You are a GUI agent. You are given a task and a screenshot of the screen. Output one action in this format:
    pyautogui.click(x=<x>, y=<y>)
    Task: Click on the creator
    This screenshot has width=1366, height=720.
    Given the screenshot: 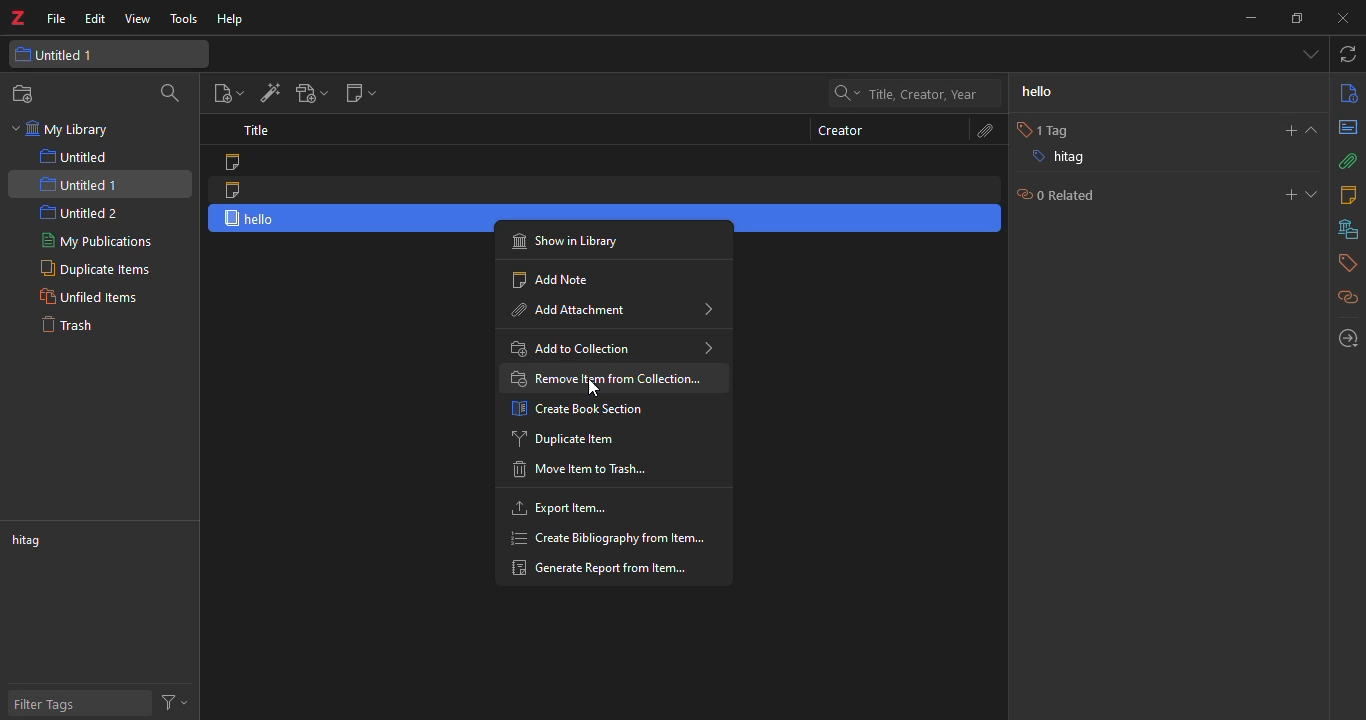 What is the action you would take?
    pyautogui.click(x=841, y=130)
    